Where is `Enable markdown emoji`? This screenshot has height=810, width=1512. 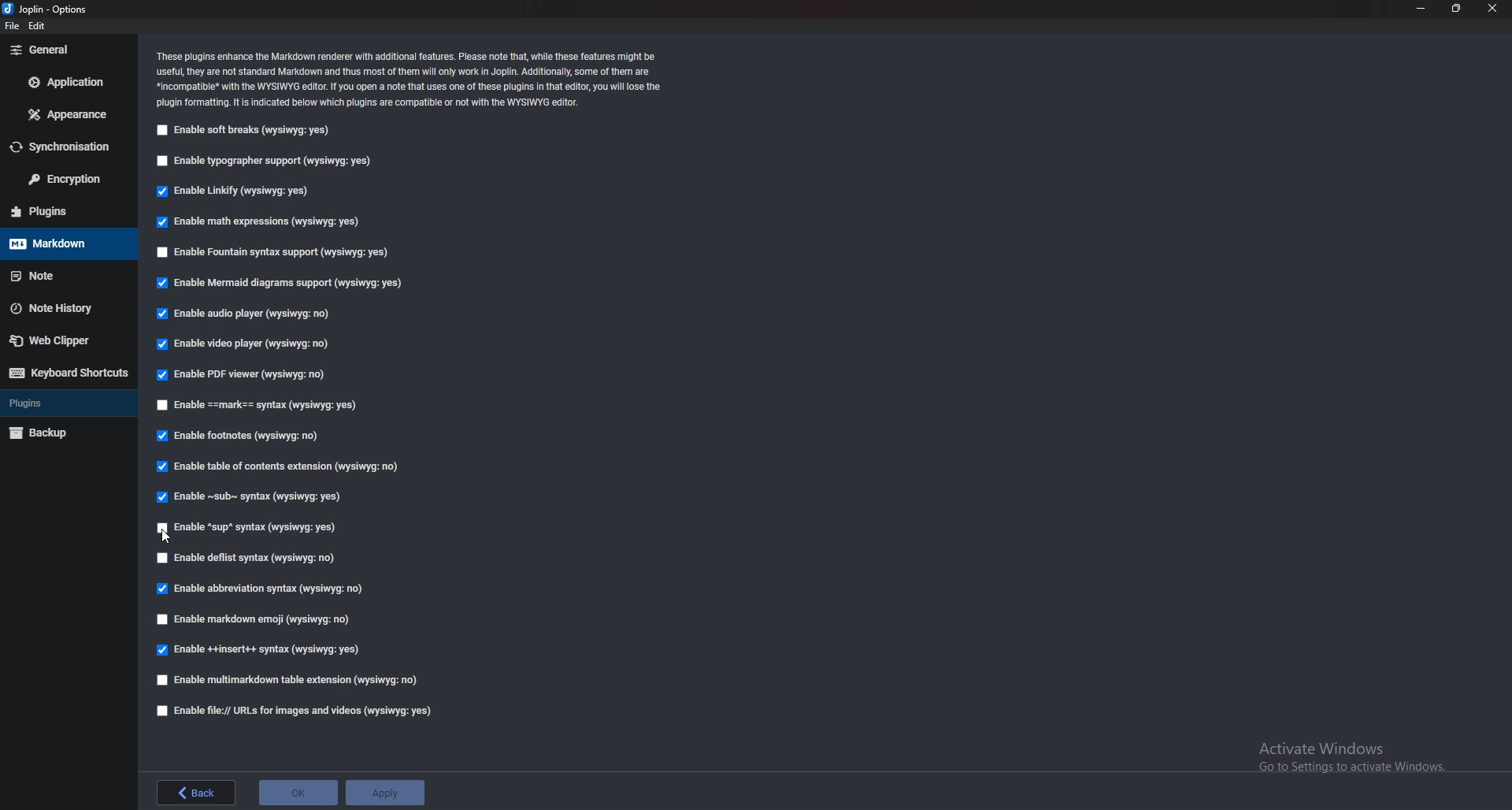
Enable markdown emoji is located at coordinates (261, 618).